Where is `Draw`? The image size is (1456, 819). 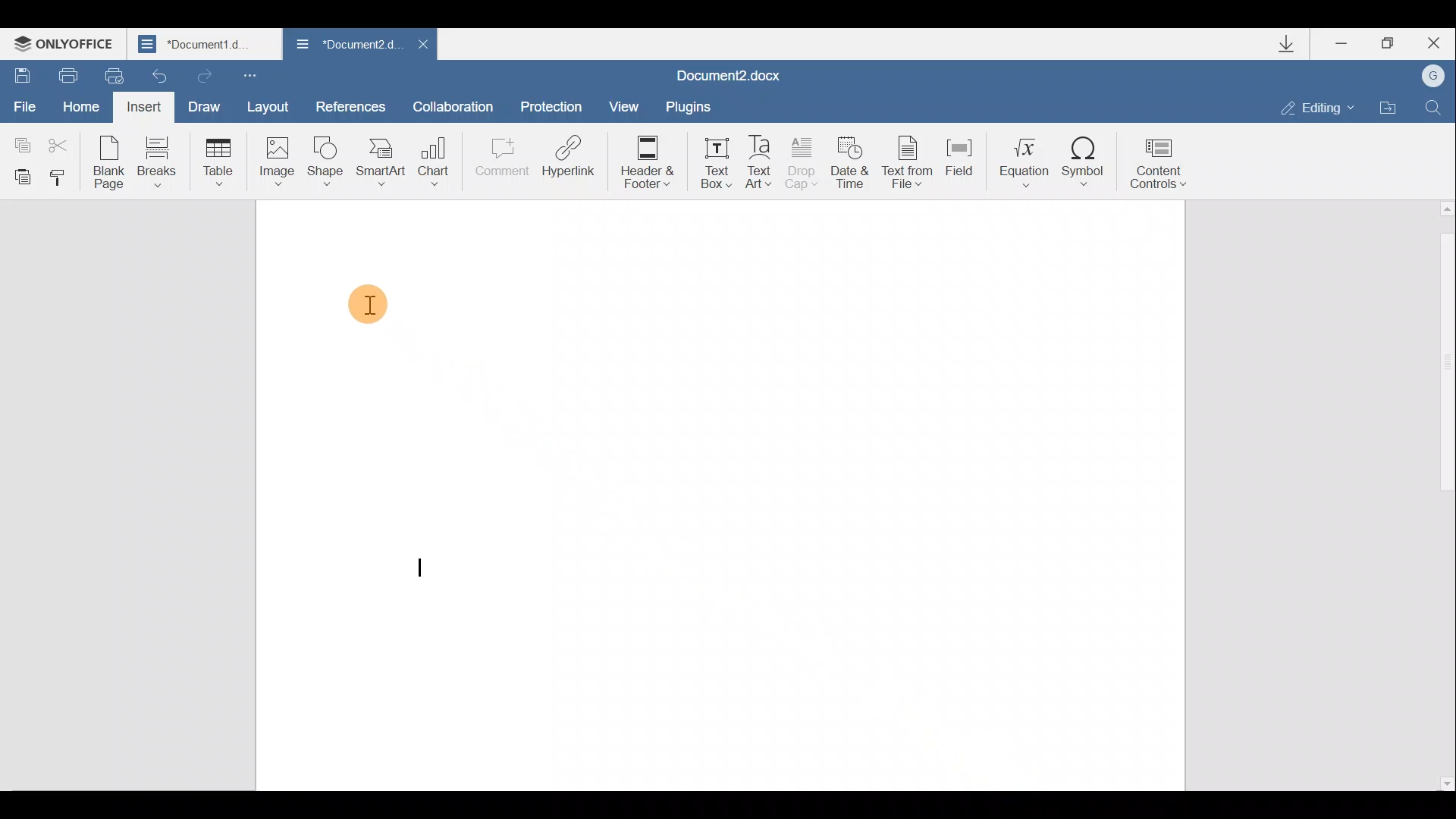
Draw is located at coordinates (206, 105).